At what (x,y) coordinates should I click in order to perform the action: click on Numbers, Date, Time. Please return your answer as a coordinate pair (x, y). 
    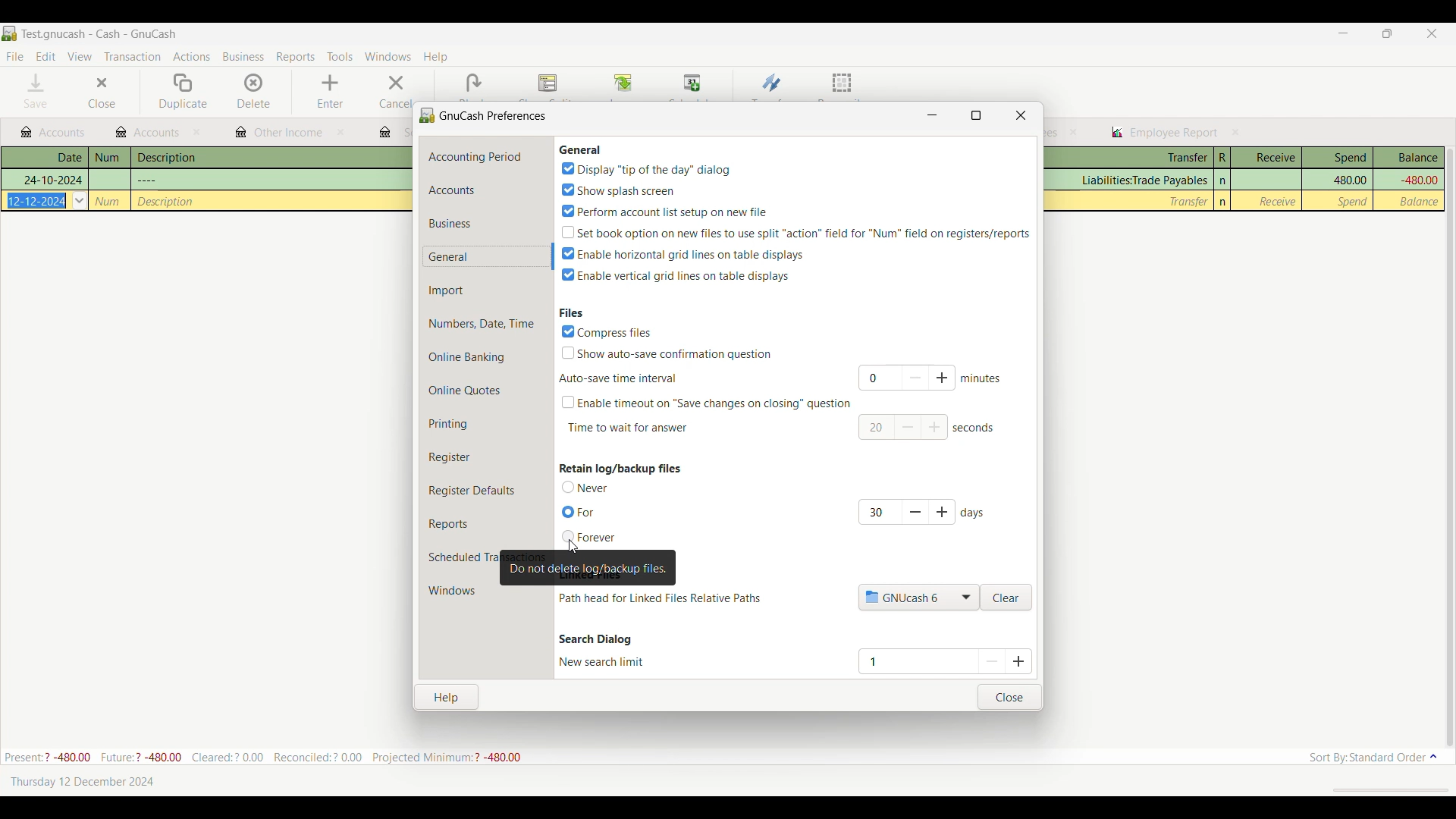
    Looking at the image, I should click on (487, 324).